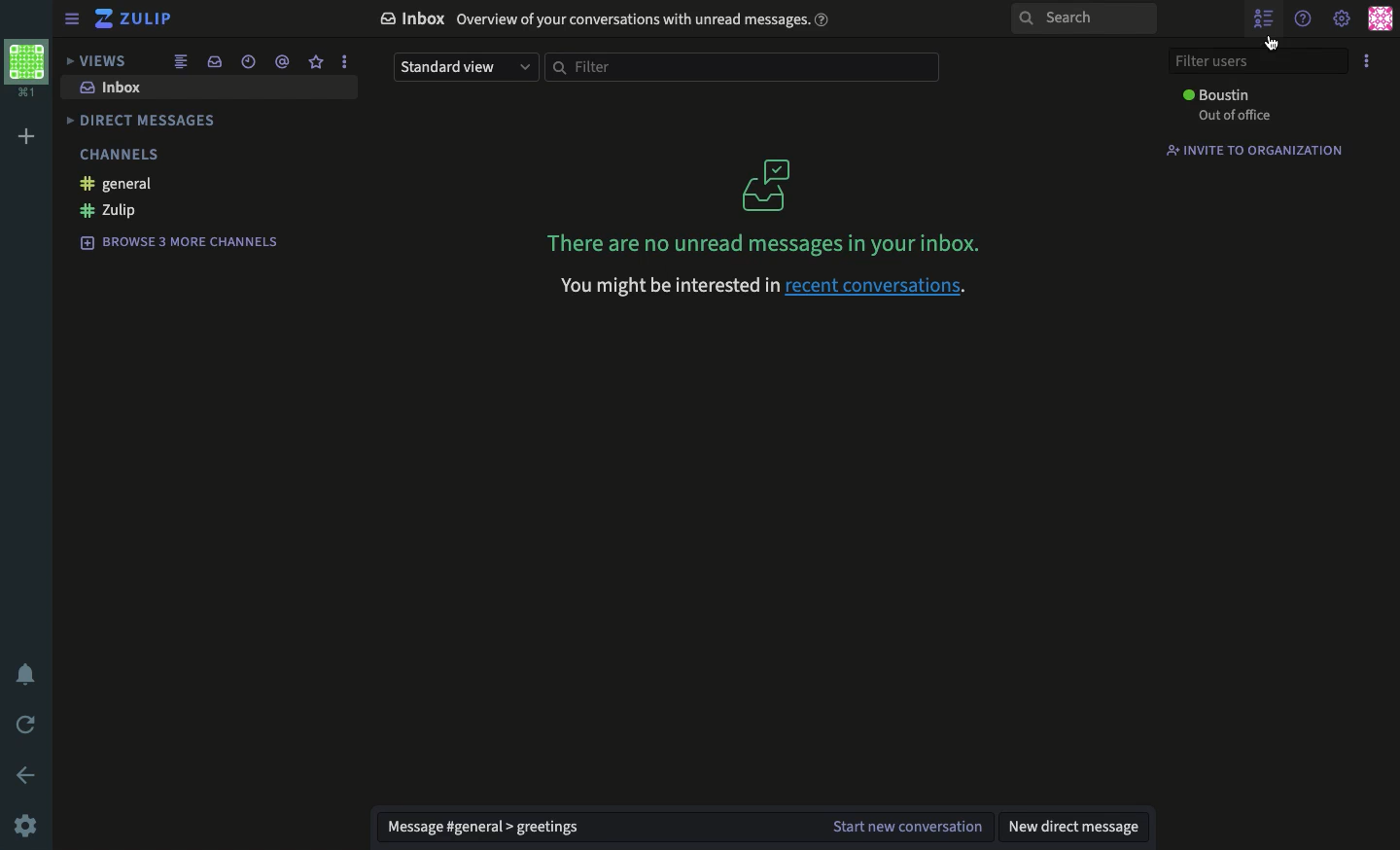 This screenshot has width=1400, height=850. I want to click on channels, so click(118, 153).